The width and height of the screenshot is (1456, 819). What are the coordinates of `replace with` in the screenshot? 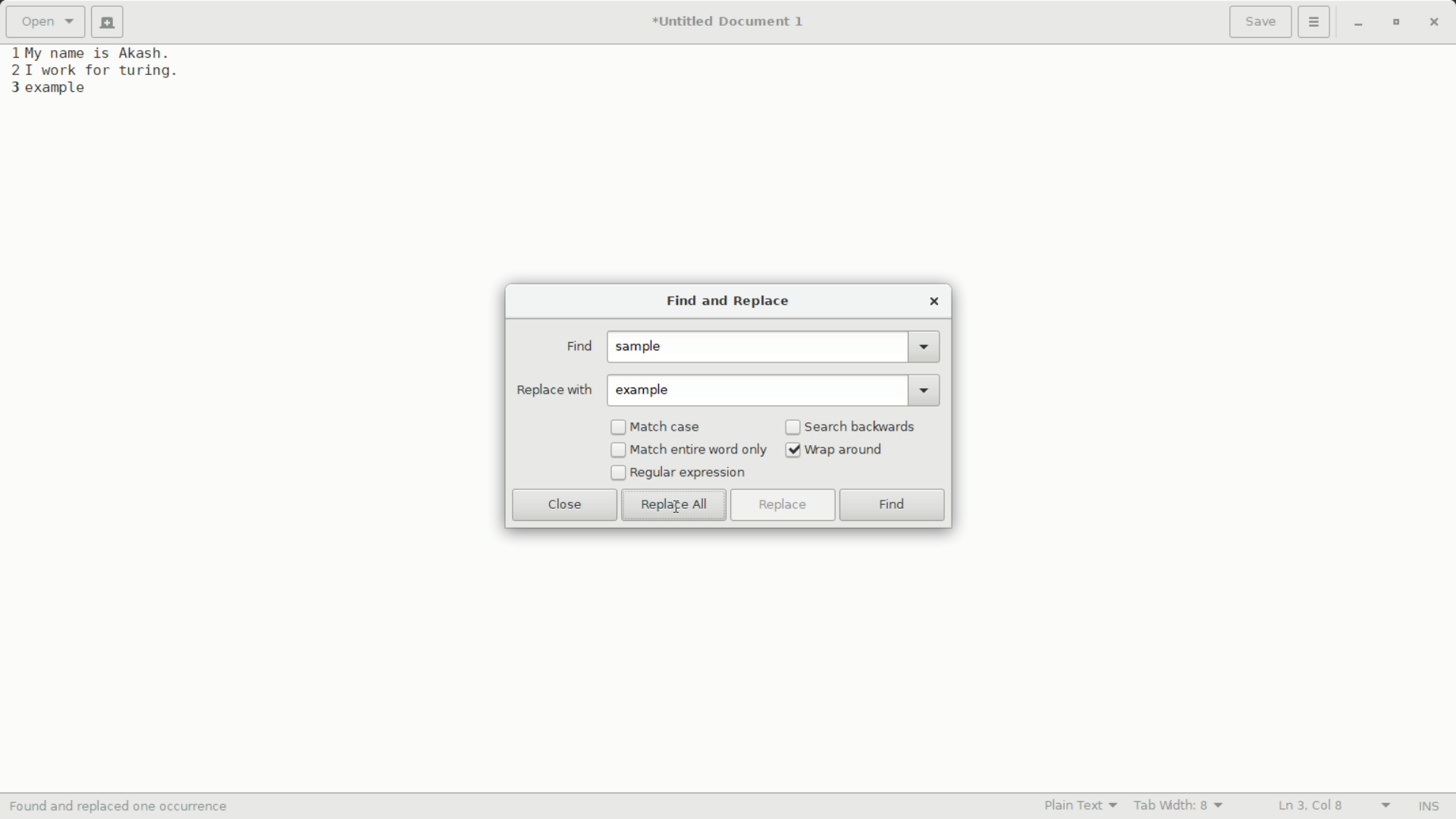 It's located at (554, 390).